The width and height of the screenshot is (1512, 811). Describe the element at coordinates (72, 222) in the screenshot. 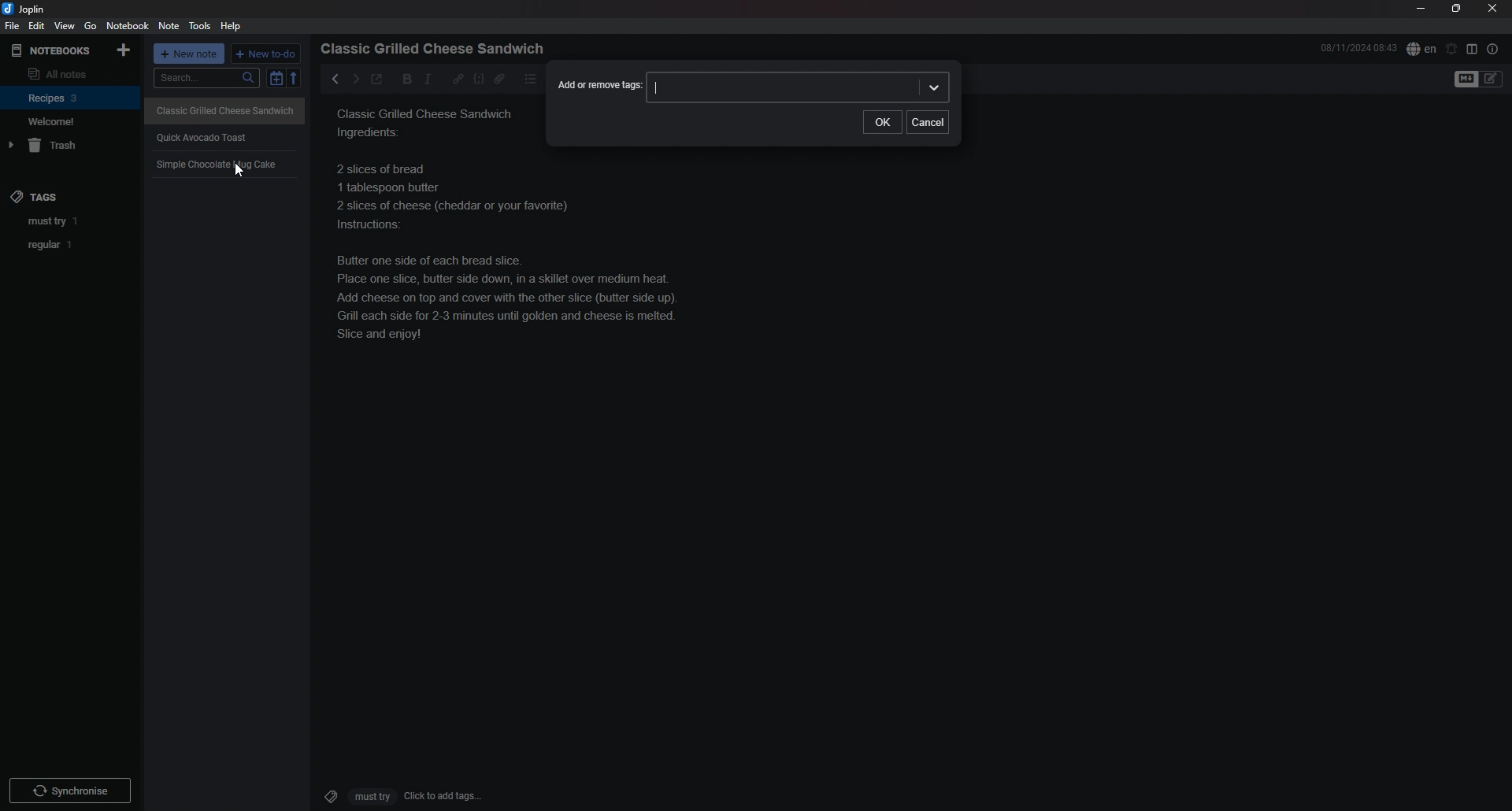

I see `tag` at that location.